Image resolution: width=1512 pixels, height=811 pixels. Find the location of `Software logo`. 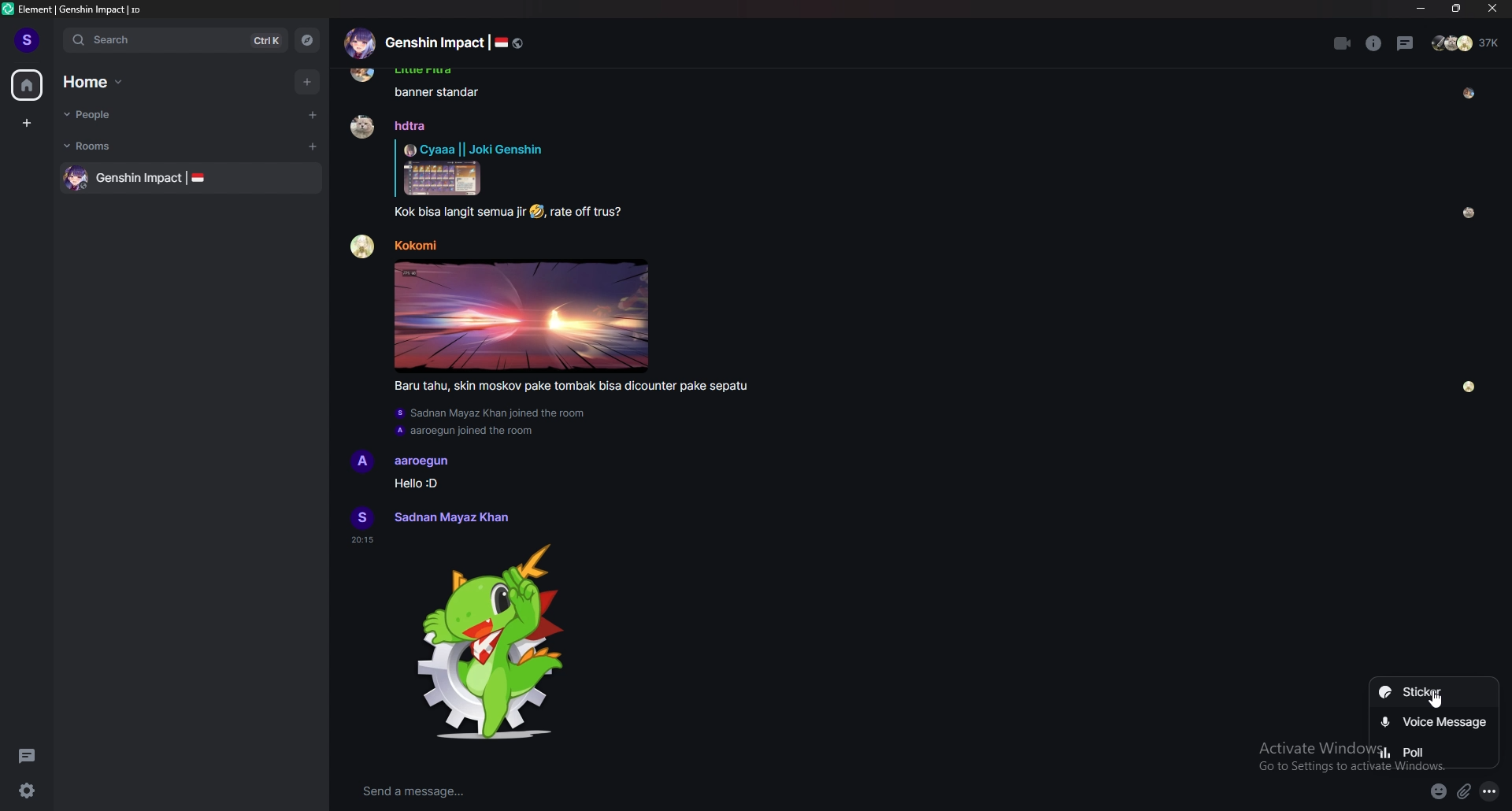

Software logo is located at coordinates (8, 9).